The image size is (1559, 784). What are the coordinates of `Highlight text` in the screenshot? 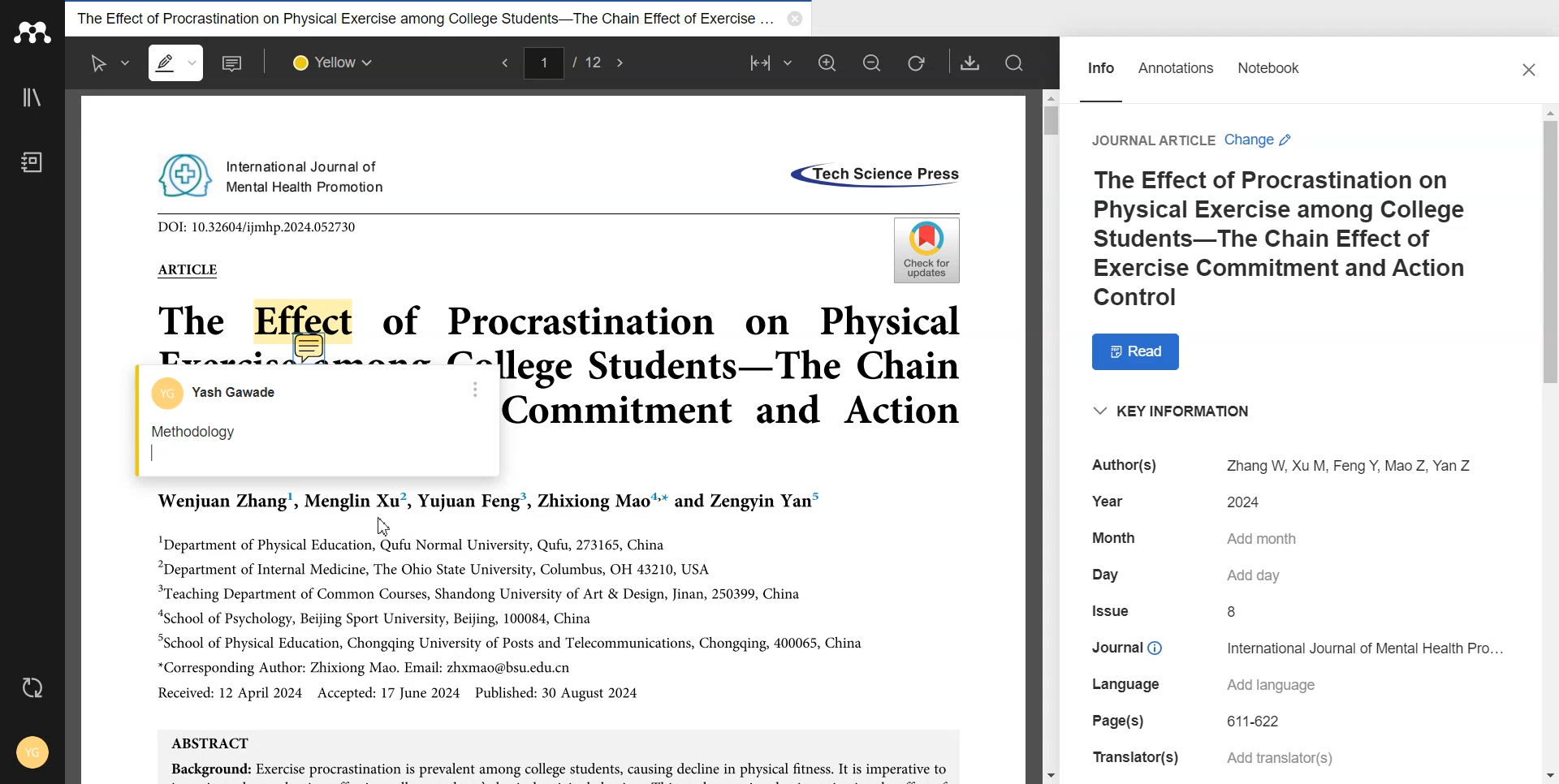 It's located at (177, 62).